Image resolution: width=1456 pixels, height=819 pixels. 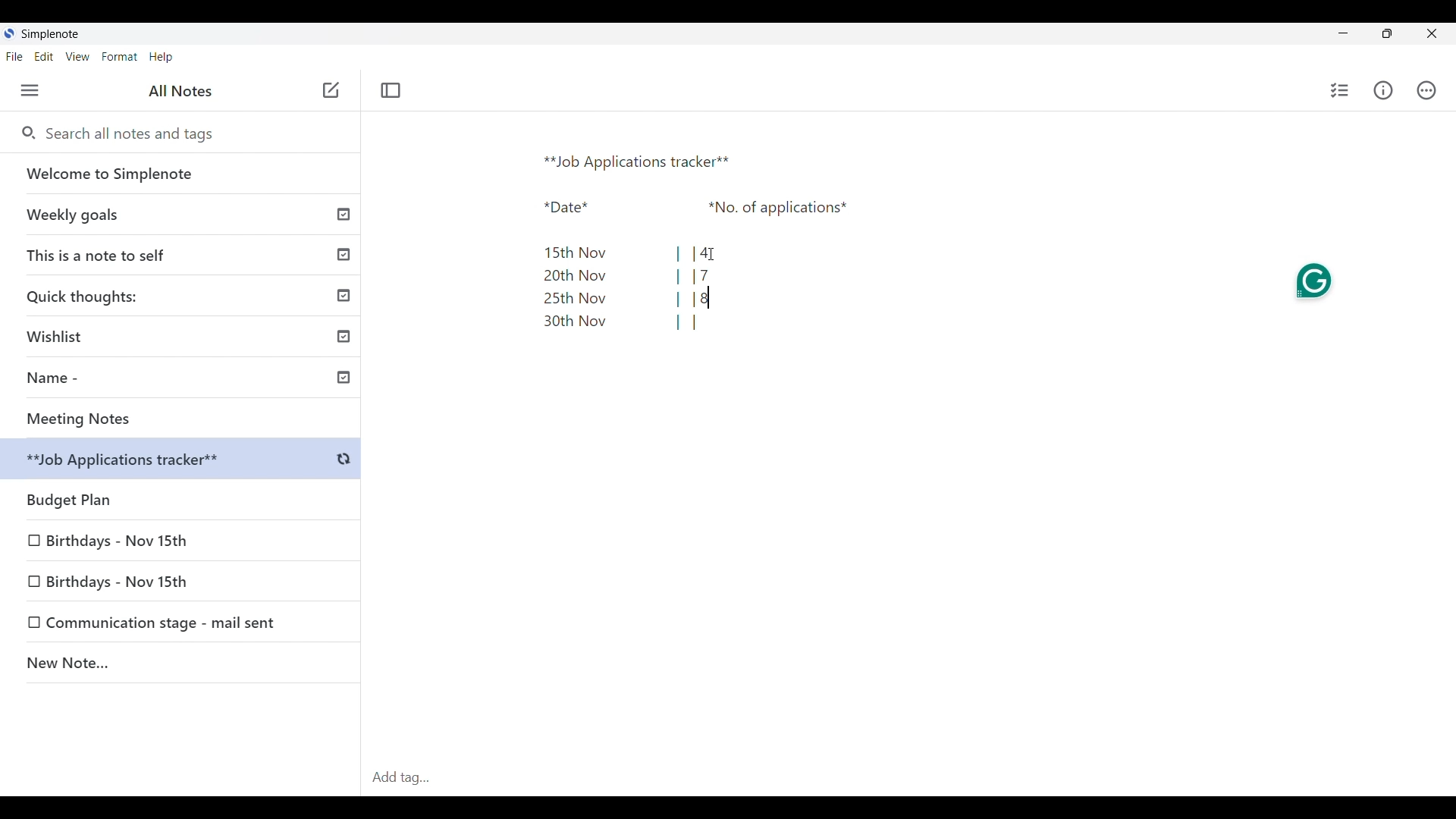 What do you see at coordinates (161, 58) in the screenshot?
I see `Help` at bounding box center [161, 58].